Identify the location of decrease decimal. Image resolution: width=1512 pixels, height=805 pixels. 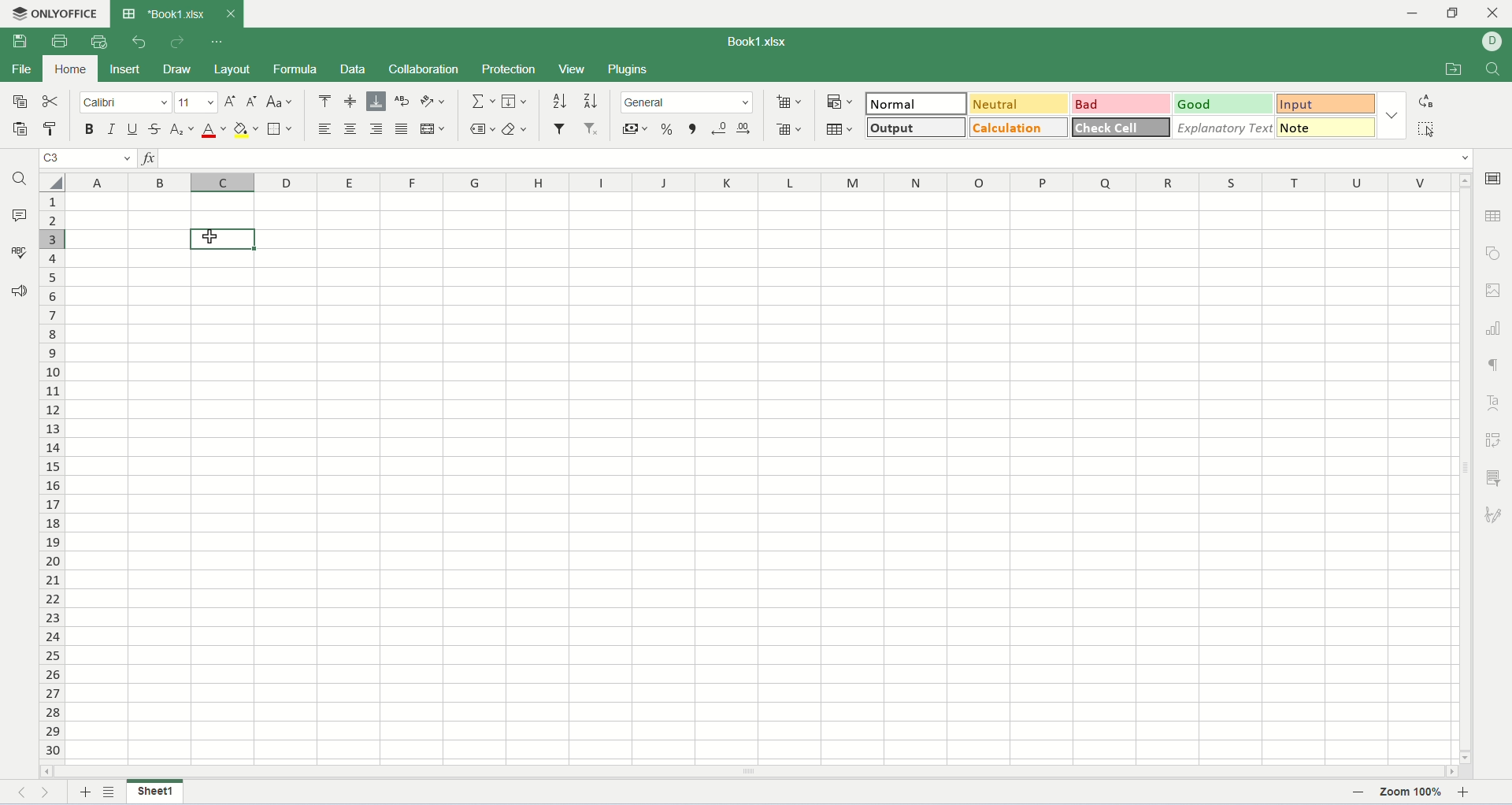
(718, 127).